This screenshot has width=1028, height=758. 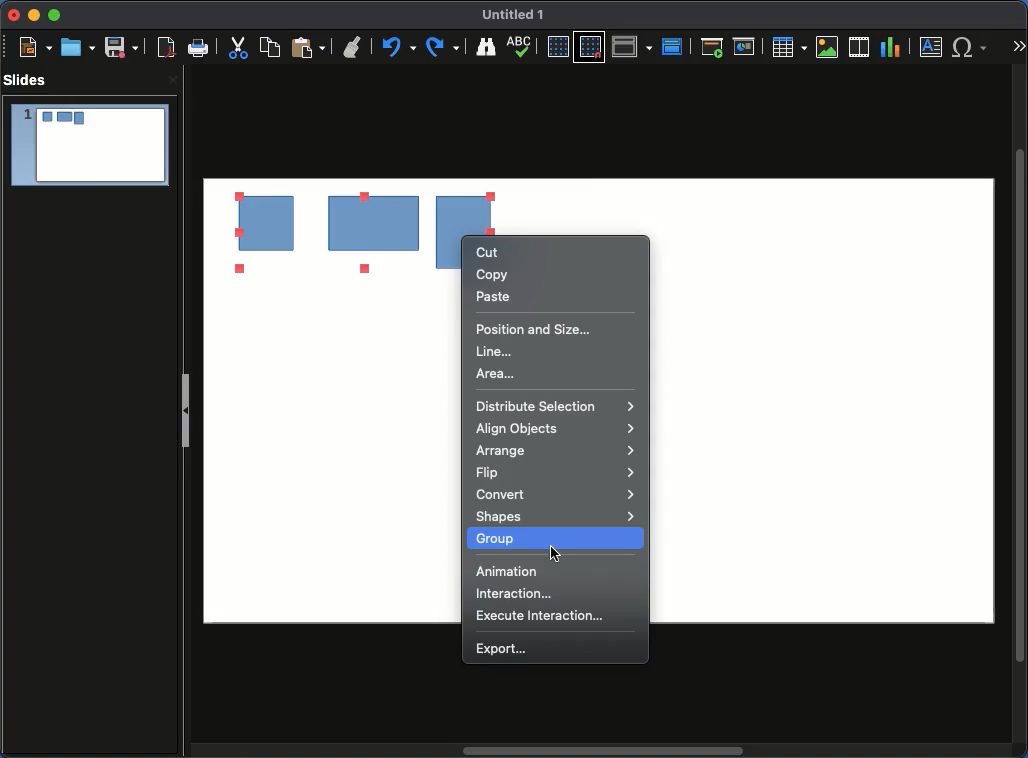 What do you see at coordinates (542, 617) in the screenshot?
I see `Execute interaction` at bounding box center [542, 617].